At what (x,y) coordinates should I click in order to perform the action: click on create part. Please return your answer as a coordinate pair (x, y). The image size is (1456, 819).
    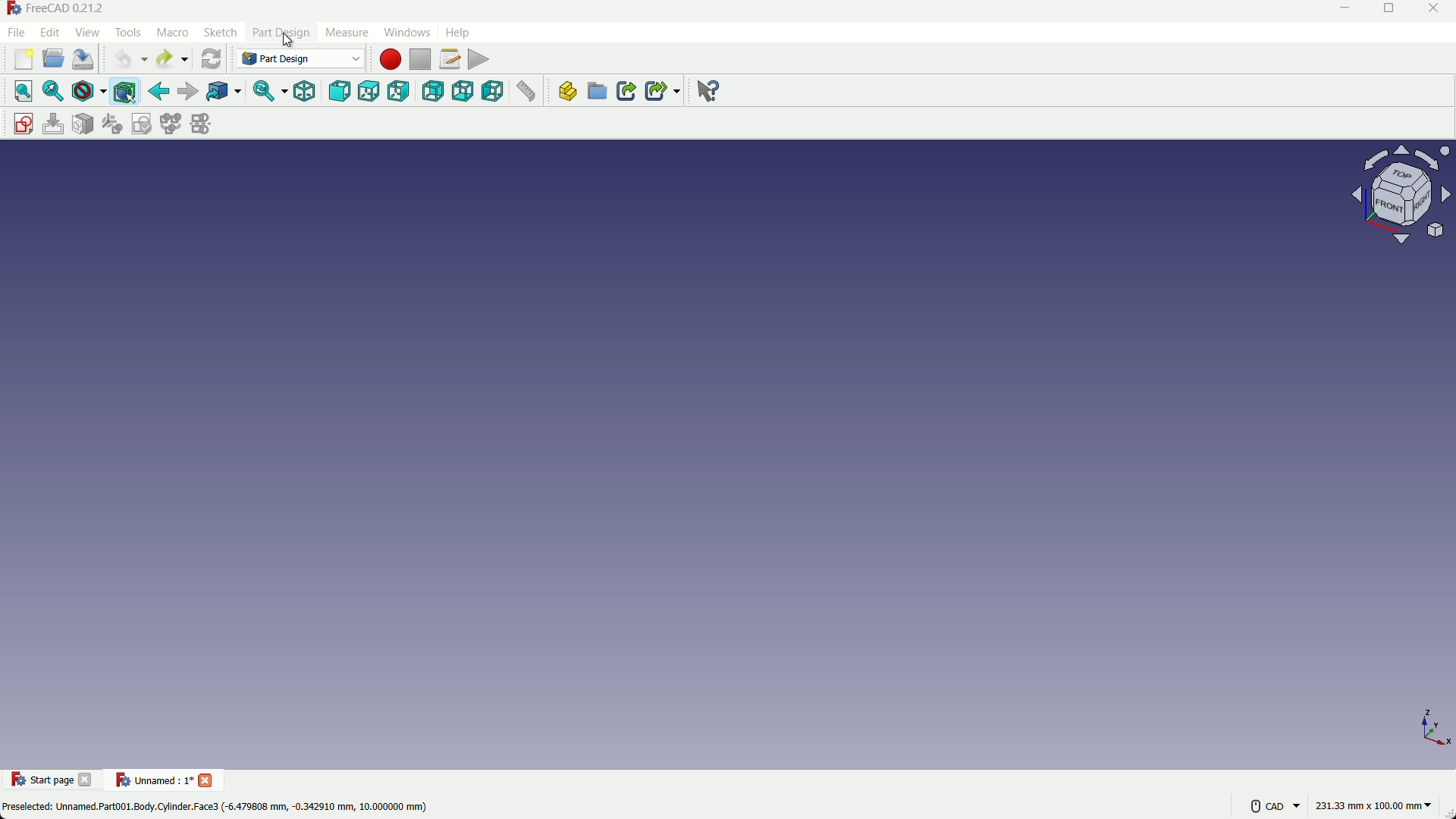
    Looking at the image, I should click on (566, 91).